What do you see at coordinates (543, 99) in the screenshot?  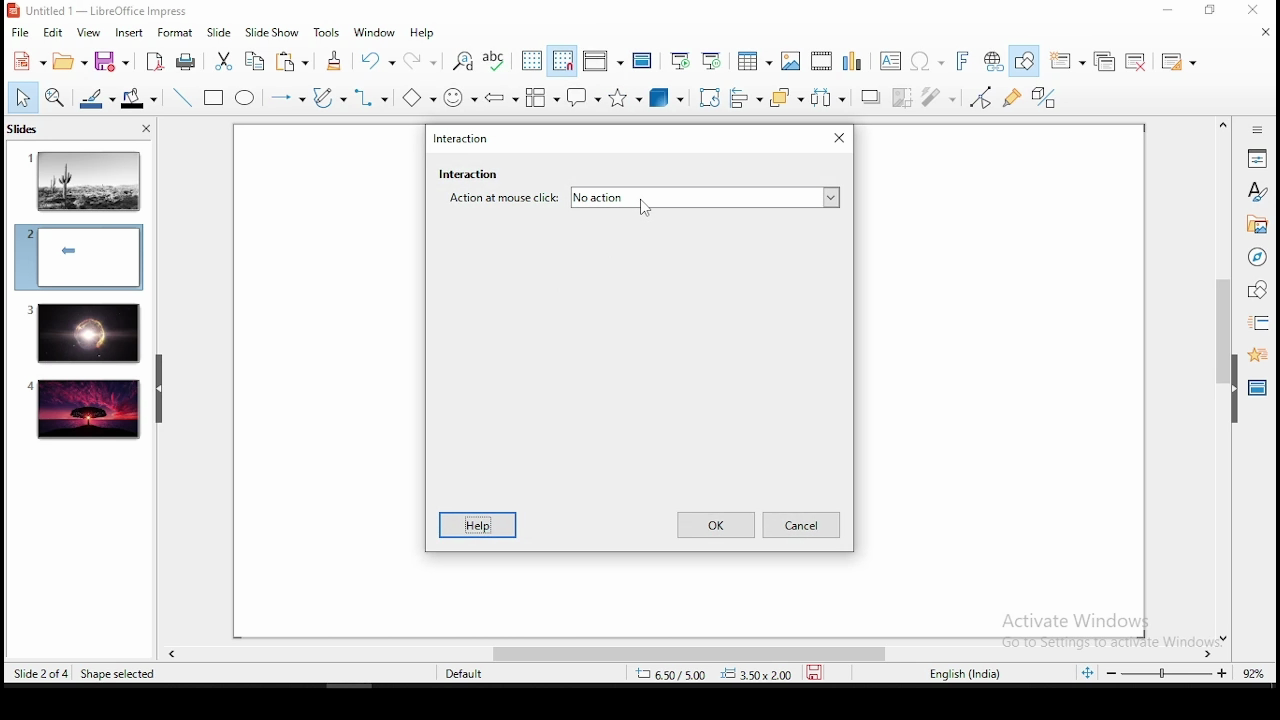 I see `flowchart` at bounding box center [543, 99].